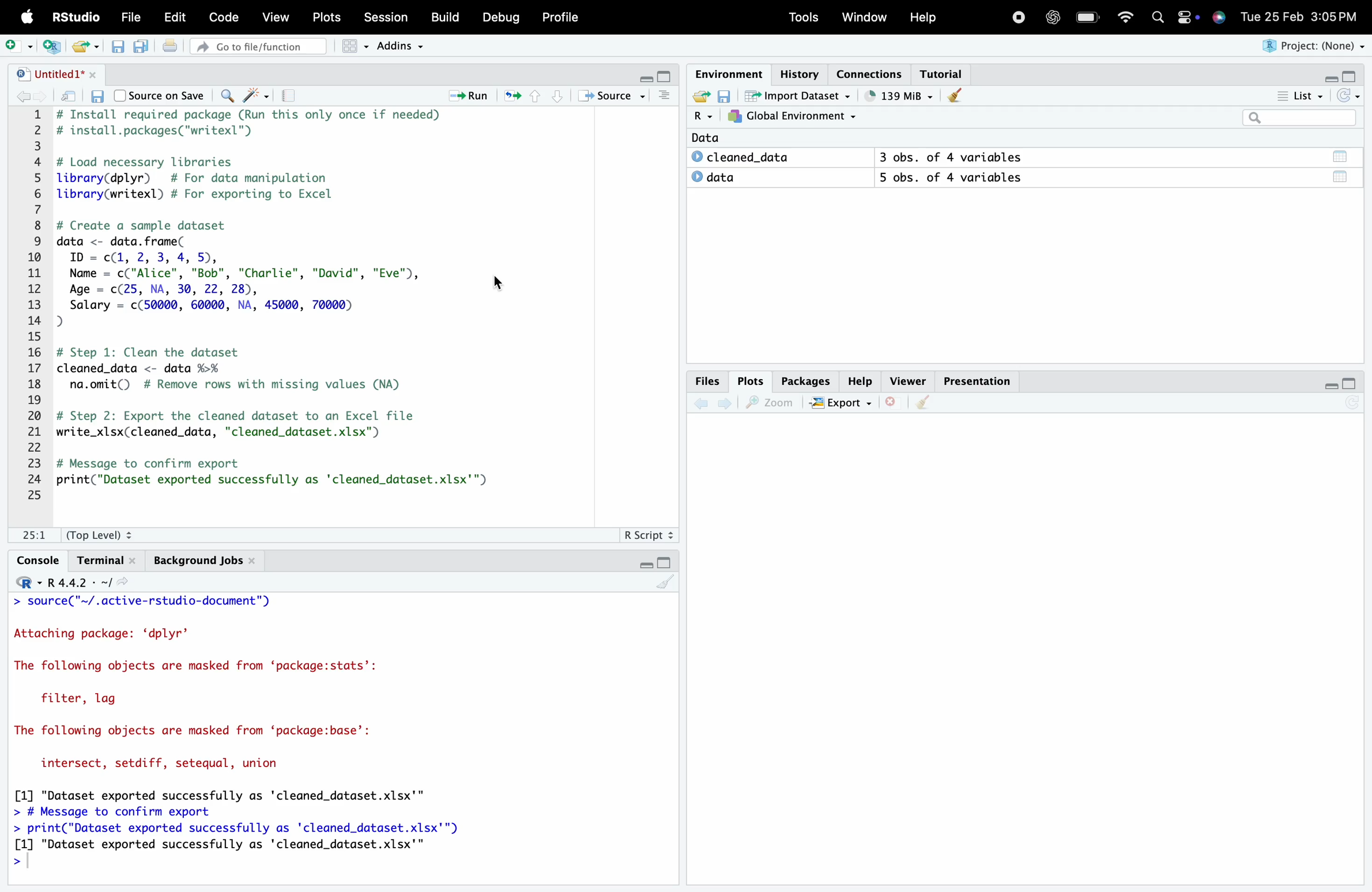  I want to click on Load workspace, so click(700, 96).